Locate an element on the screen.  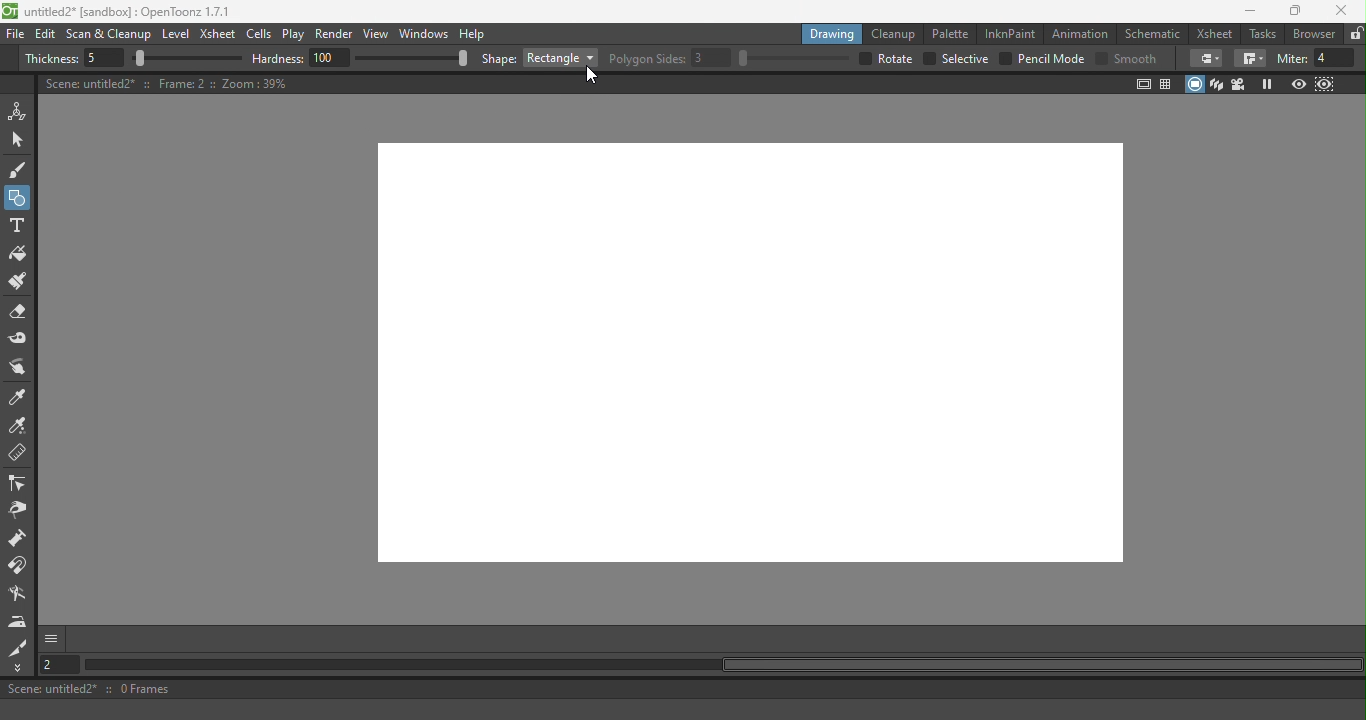
More options is located at coordinates (51, 640).